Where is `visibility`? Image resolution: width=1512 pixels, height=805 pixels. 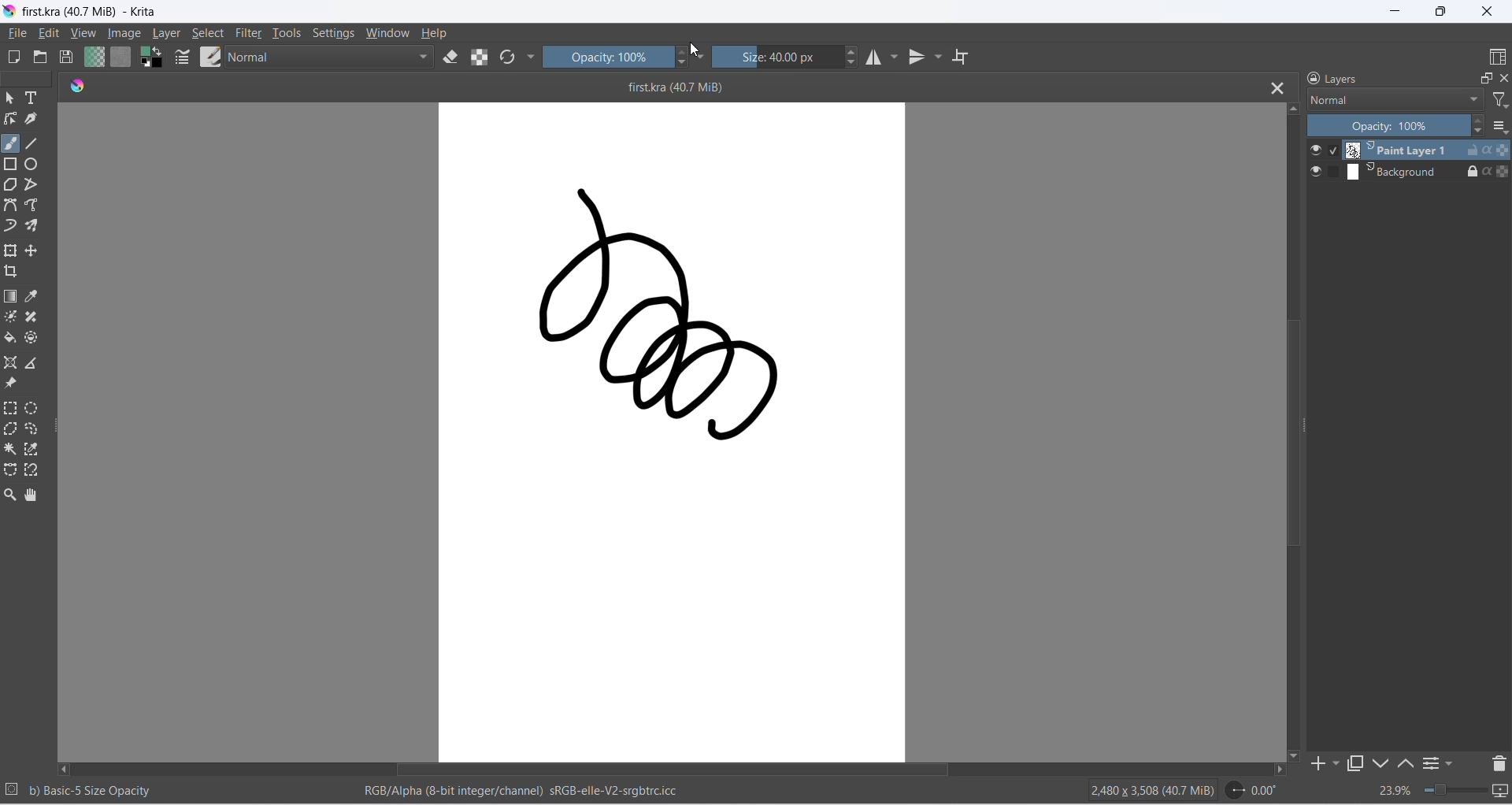 visibility is located at coordinates (1316, 172).